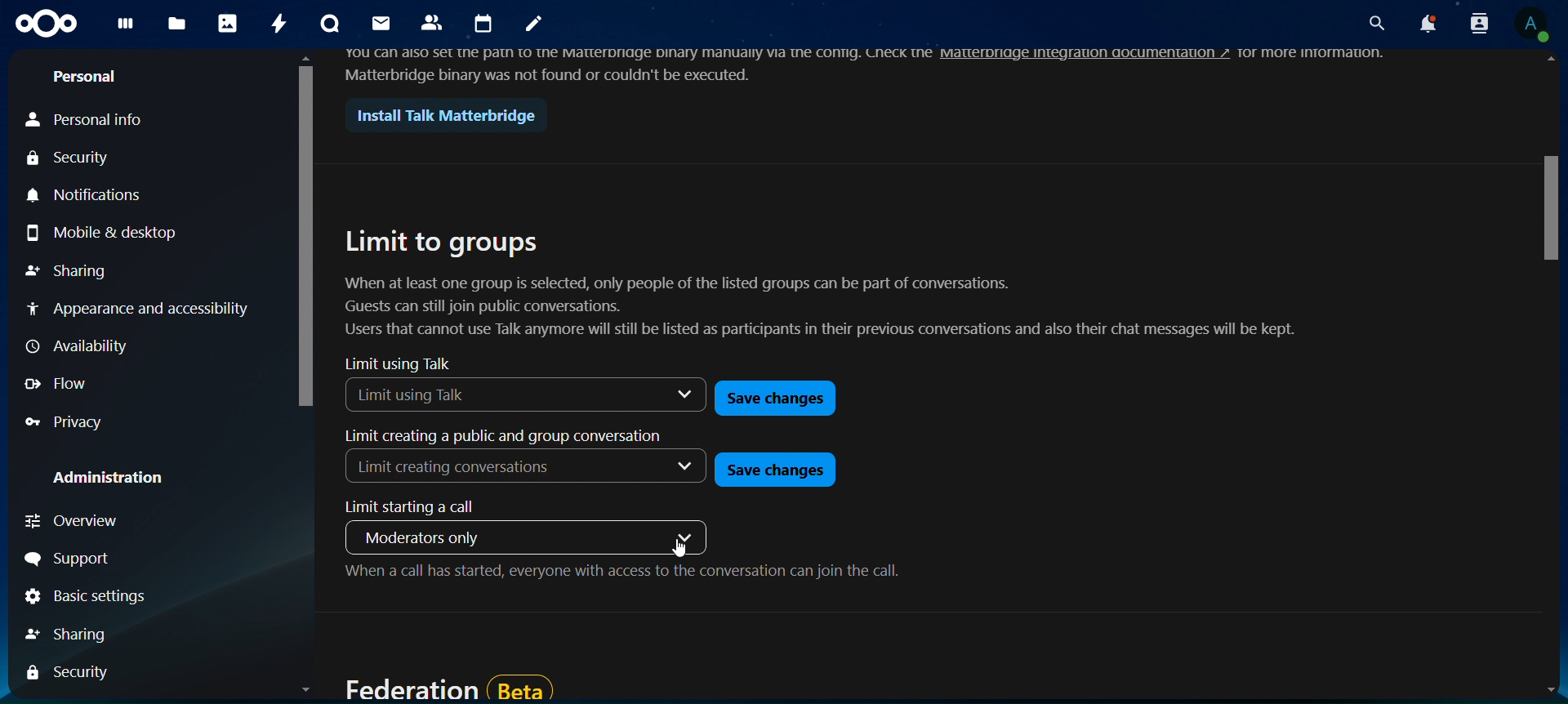  I want to click on save changes, so click(777, 400).